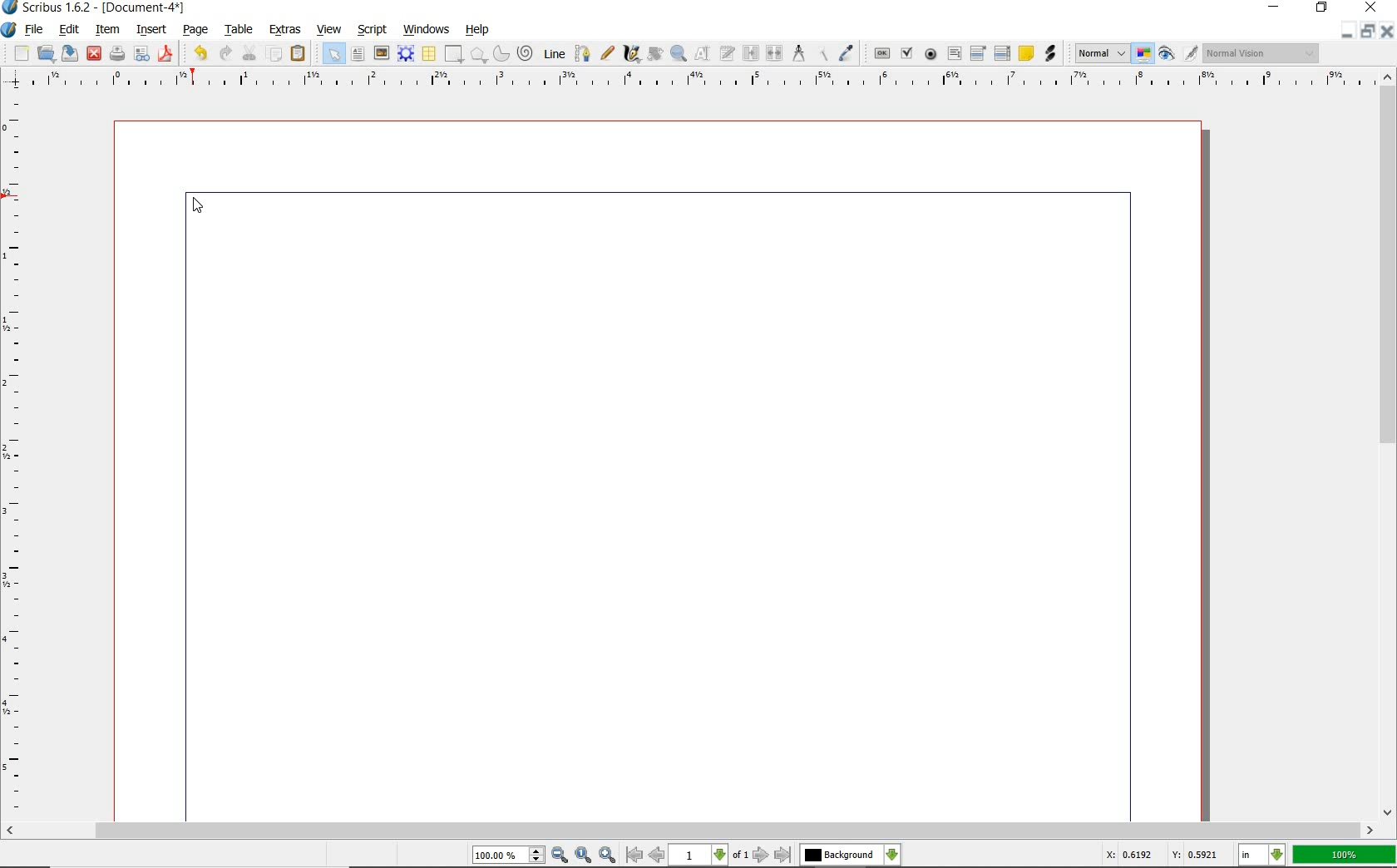 The height and width of the screenshot is (868, 1397). What do you see at coordinates (847, 51) in the screenshot?
I see `eye dropper` at bounding box center [847, 51].